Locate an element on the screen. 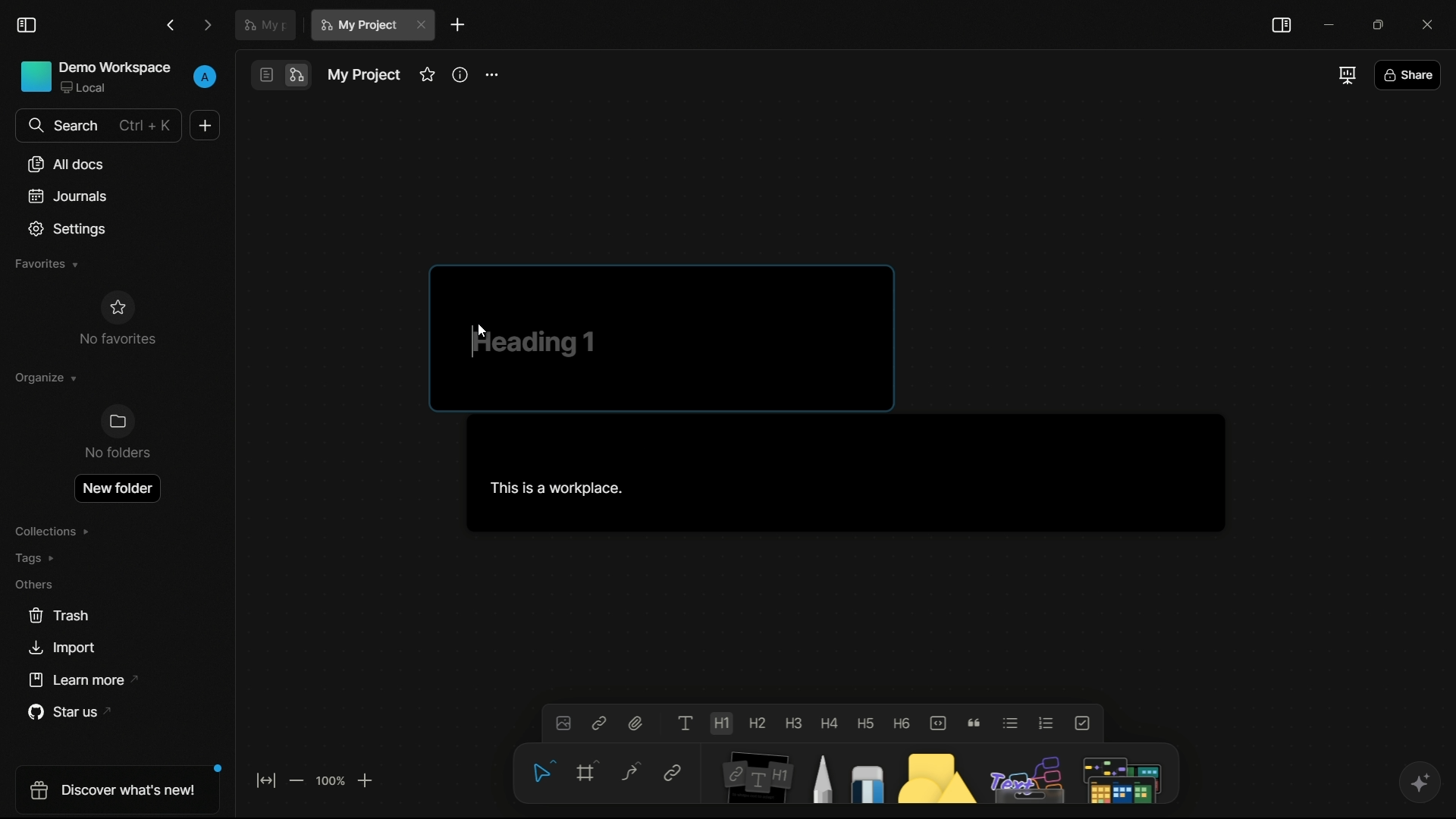 The width and height of the screenshot is (1456, 819). bulleted list is located at coordinates (1009, 720).